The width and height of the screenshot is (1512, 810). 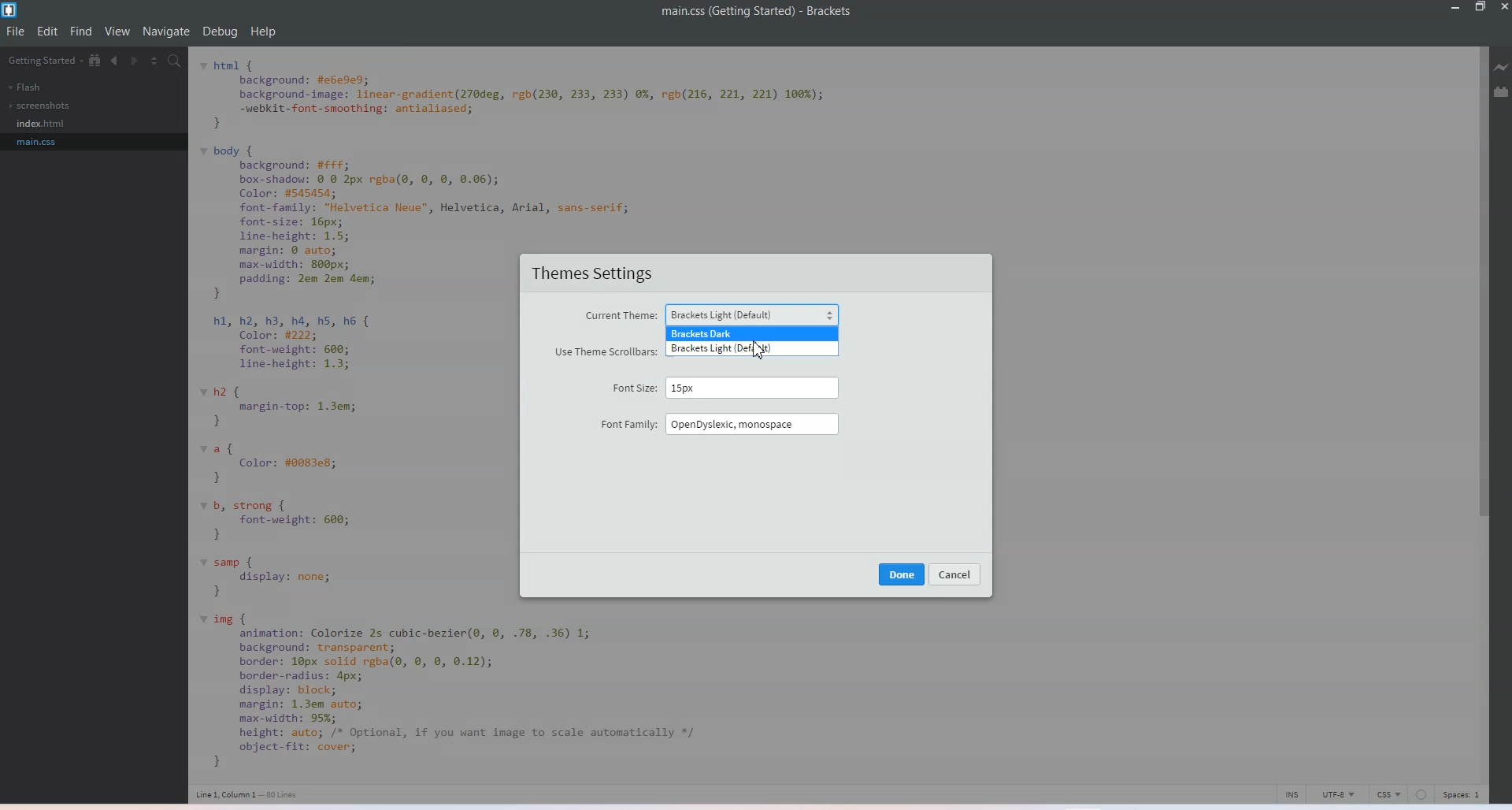 What do you see at coordinates (530, 151) in the screenshot?
I see `code` at bounding box center [530, 151].